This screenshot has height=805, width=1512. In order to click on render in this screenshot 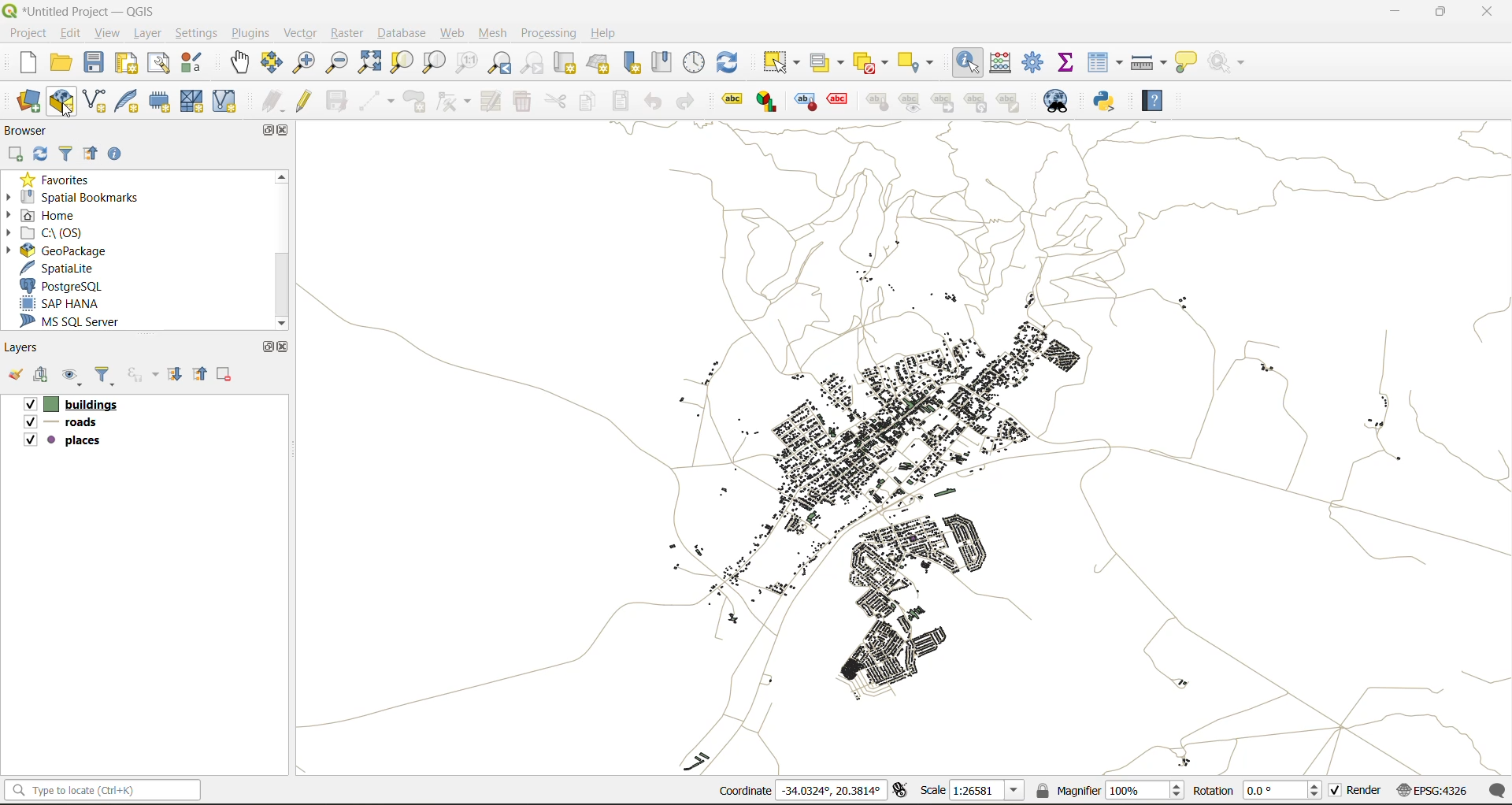, I will do `click(1357, 793)`.